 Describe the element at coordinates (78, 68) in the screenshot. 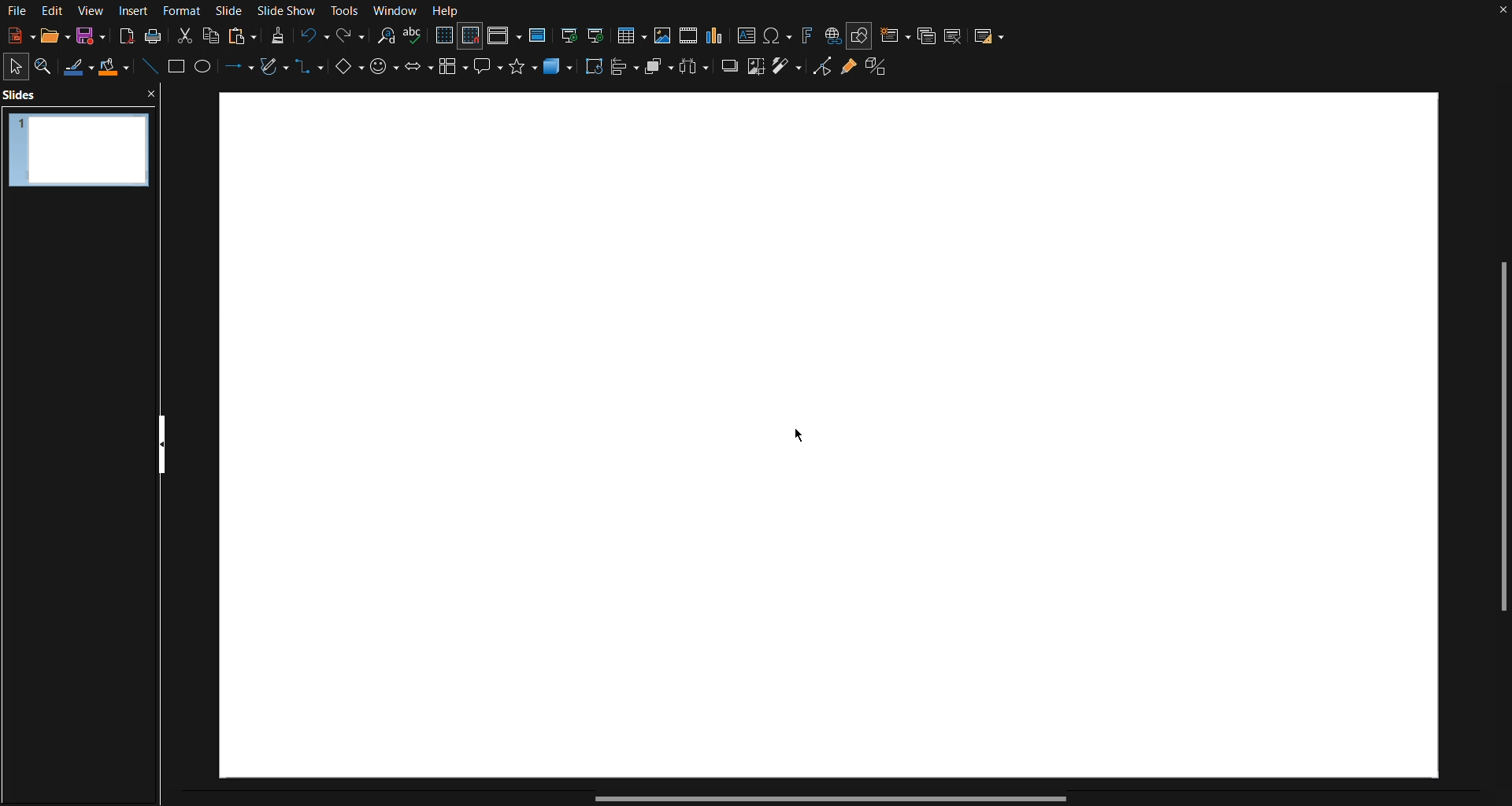

I see `Line Color` at that location.